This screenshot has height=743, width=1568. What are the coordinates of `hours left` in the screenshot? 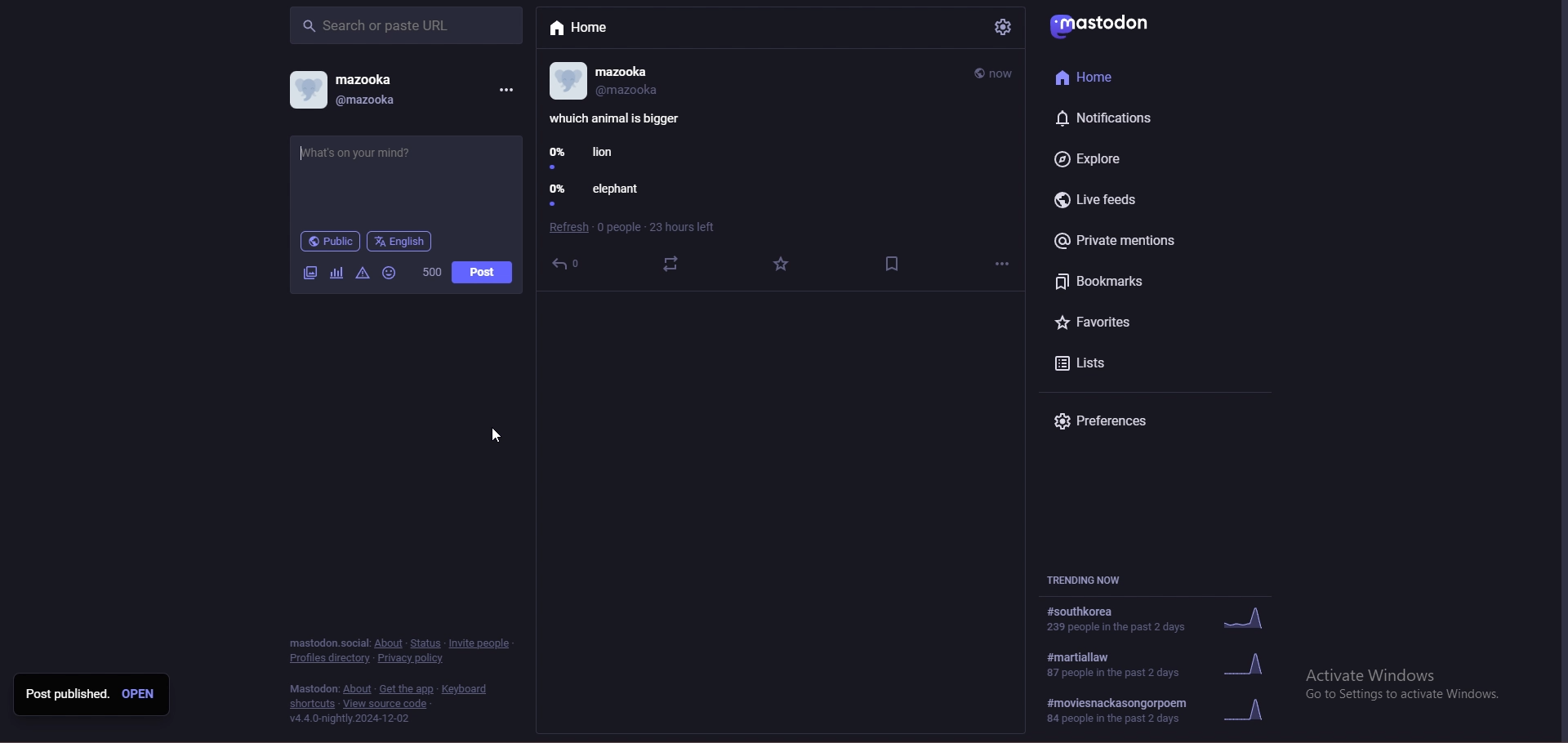 It's located at (682, 228).